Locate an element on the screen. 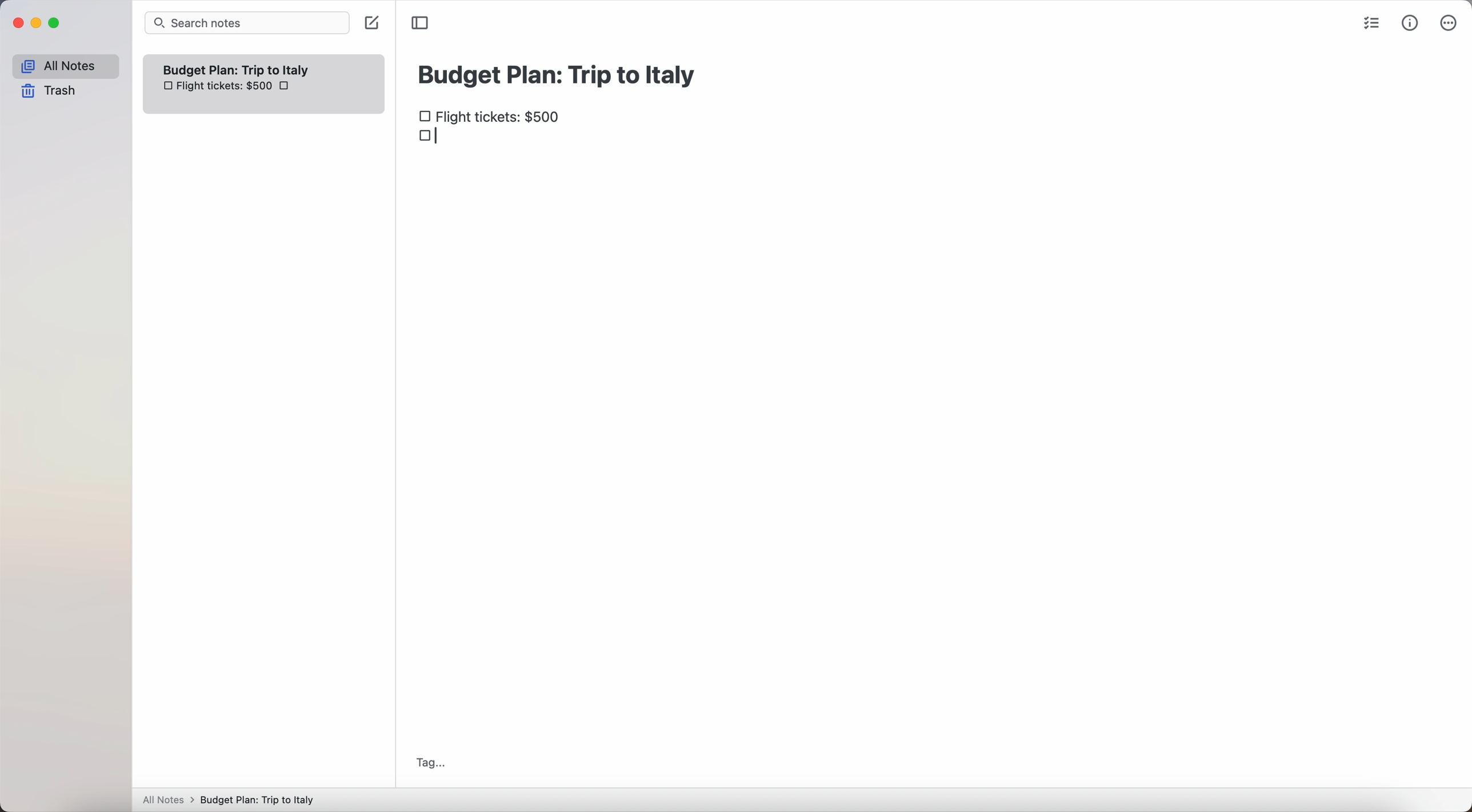  search bar is located at coordinates (247, 23).